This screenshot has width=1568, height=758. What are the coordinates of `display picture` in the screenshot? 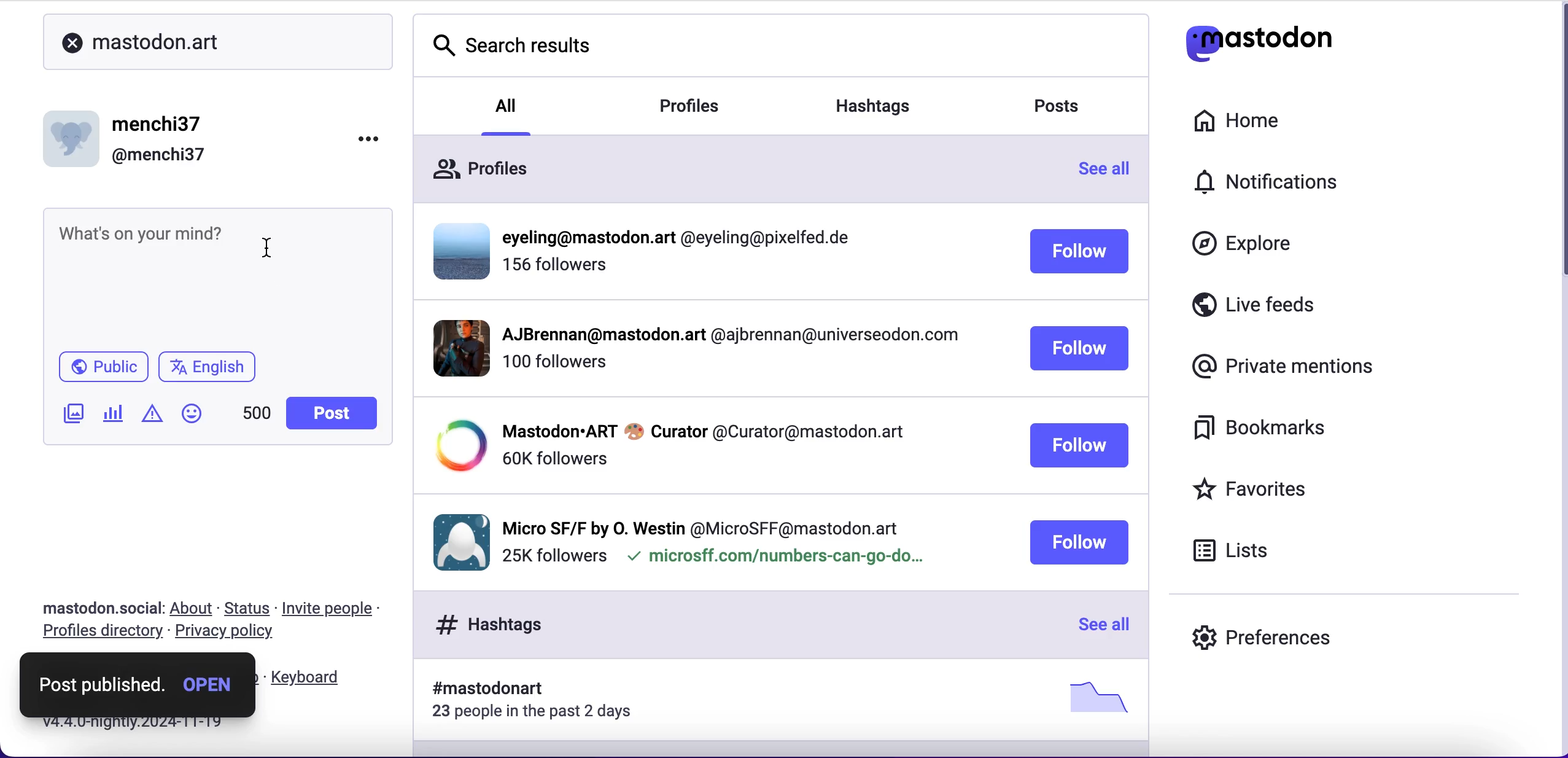 It's located at (74, 135).